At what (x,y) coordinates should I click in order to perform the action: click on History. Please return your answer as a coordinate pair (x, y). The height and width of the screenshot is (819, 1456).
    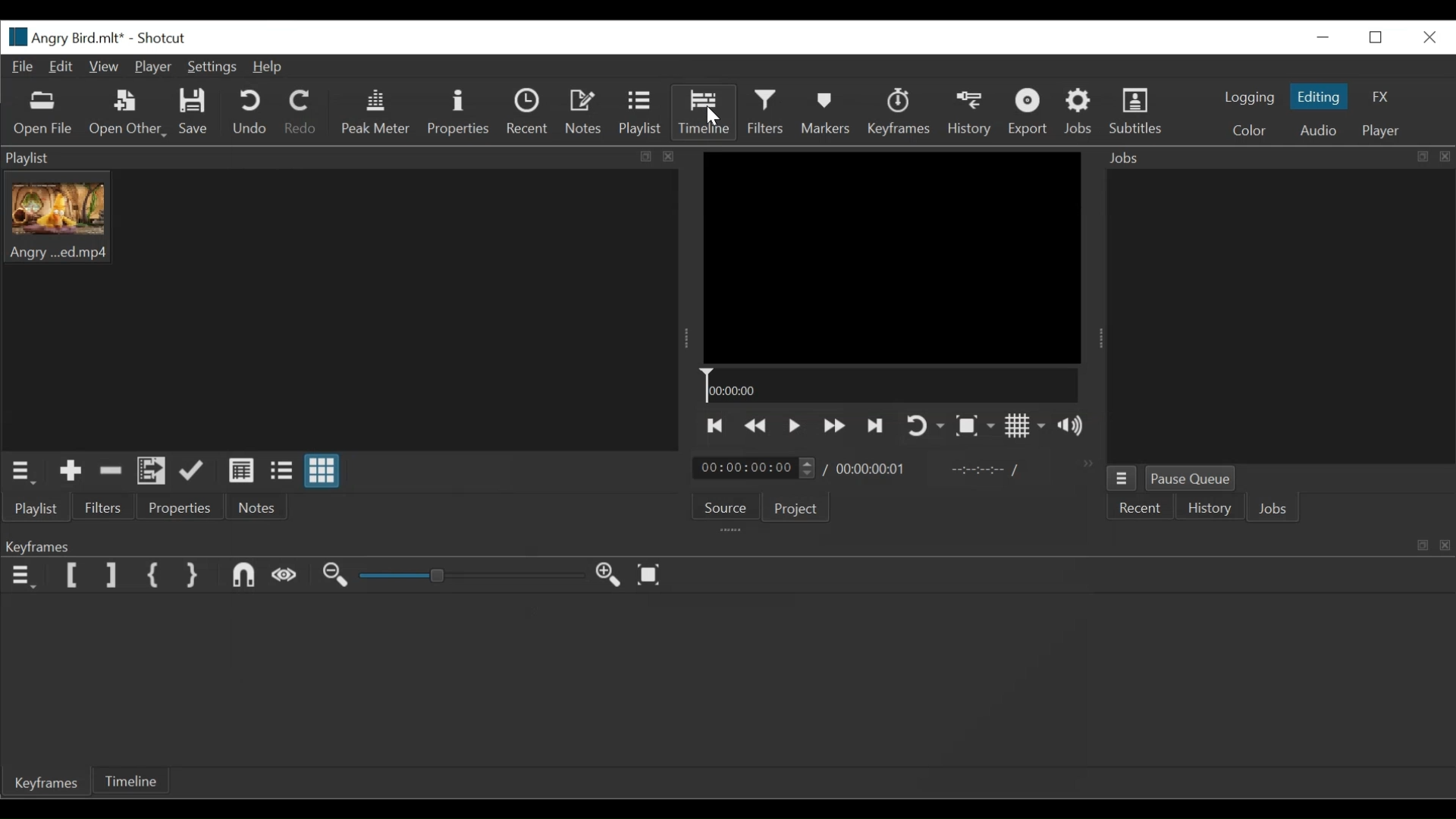
    Looking at the image, I should click on (1210, 510).